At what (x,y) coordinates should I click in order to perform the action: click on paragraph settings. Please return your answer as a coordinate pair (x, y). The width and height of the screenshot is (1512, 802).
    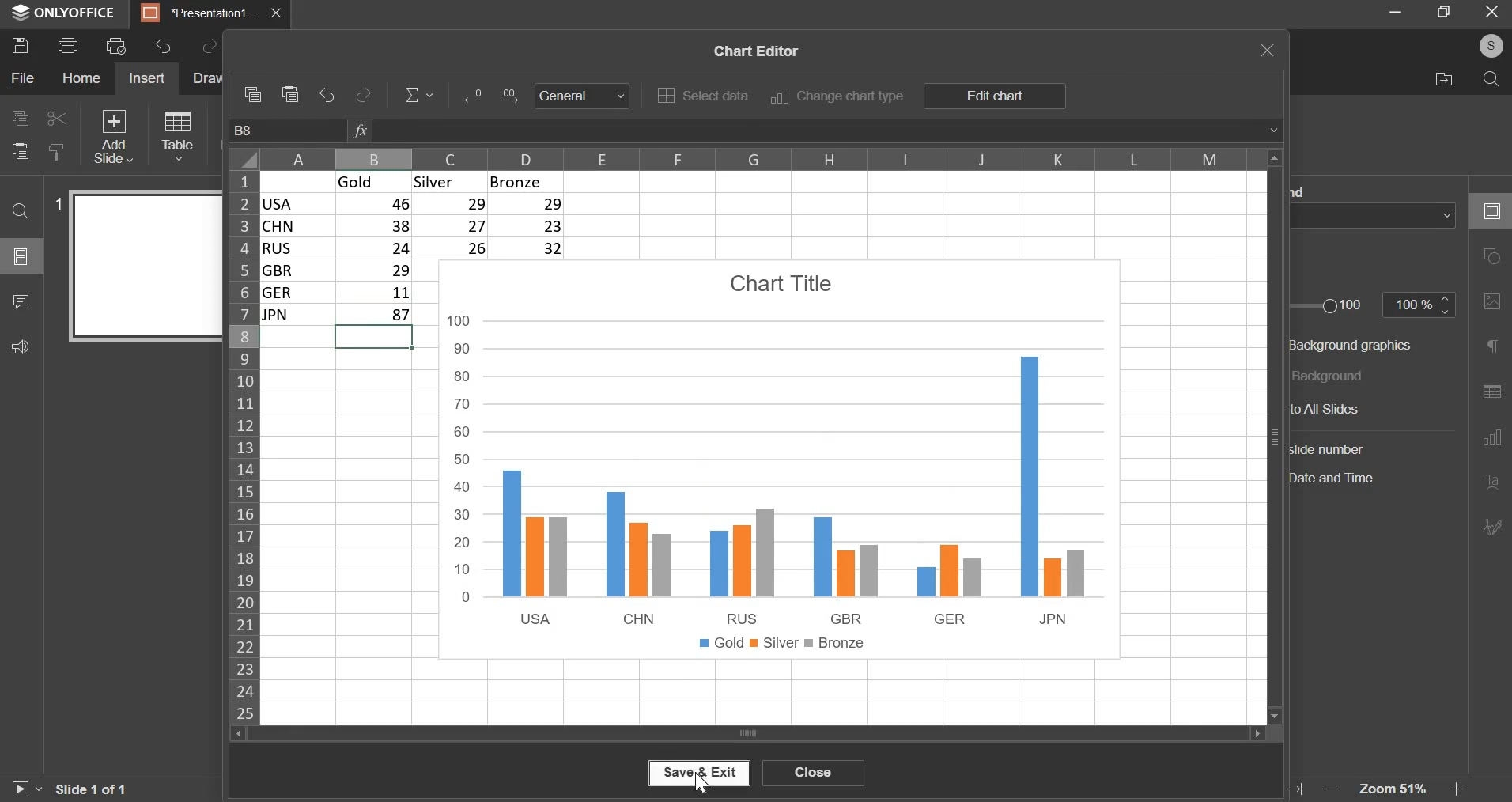
    Looking at the image, I should click on (1493, 347).